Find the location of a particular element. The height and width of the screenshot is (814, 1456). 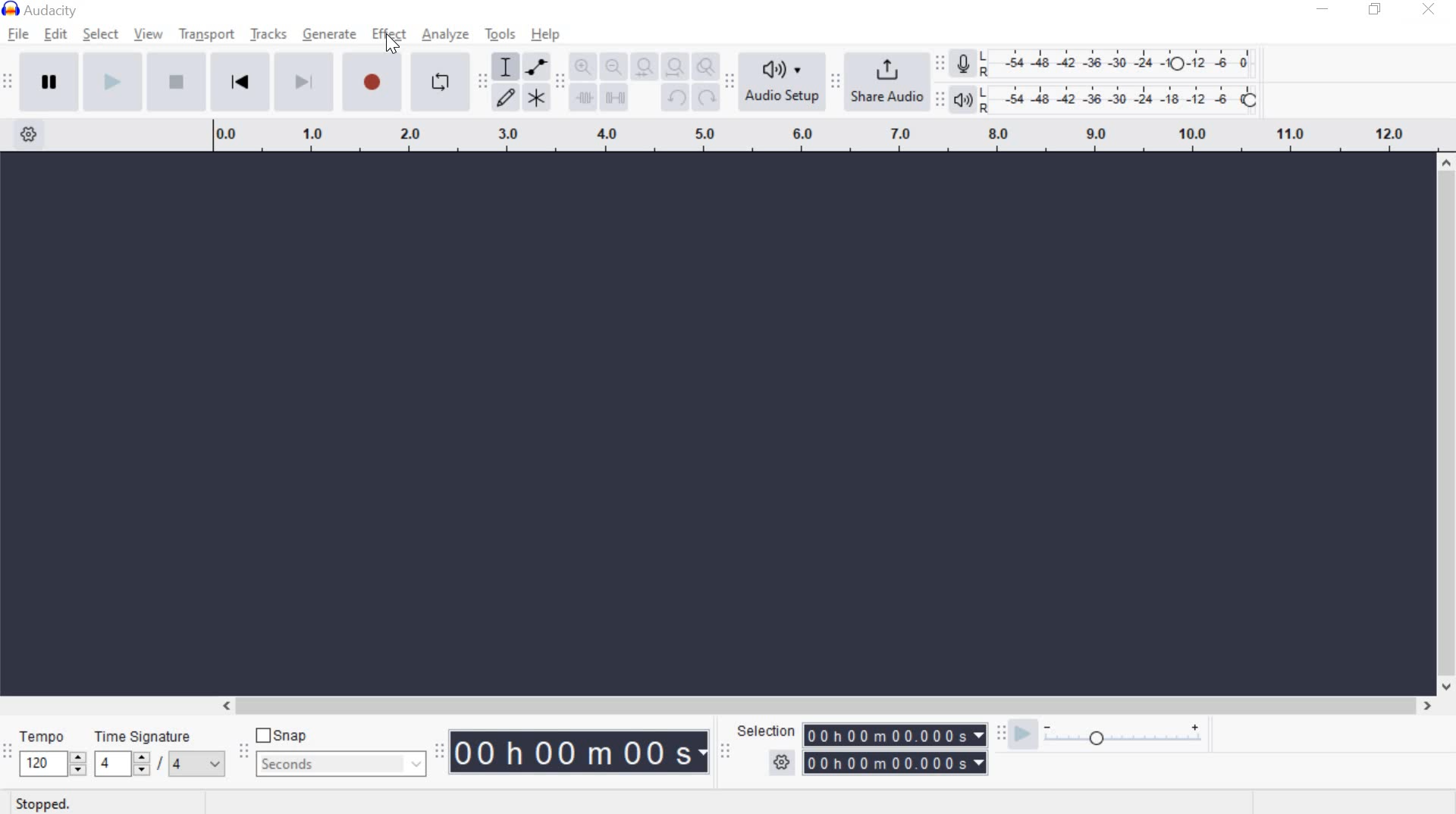

Time signature toolbar is located at coordinates (9, 747).